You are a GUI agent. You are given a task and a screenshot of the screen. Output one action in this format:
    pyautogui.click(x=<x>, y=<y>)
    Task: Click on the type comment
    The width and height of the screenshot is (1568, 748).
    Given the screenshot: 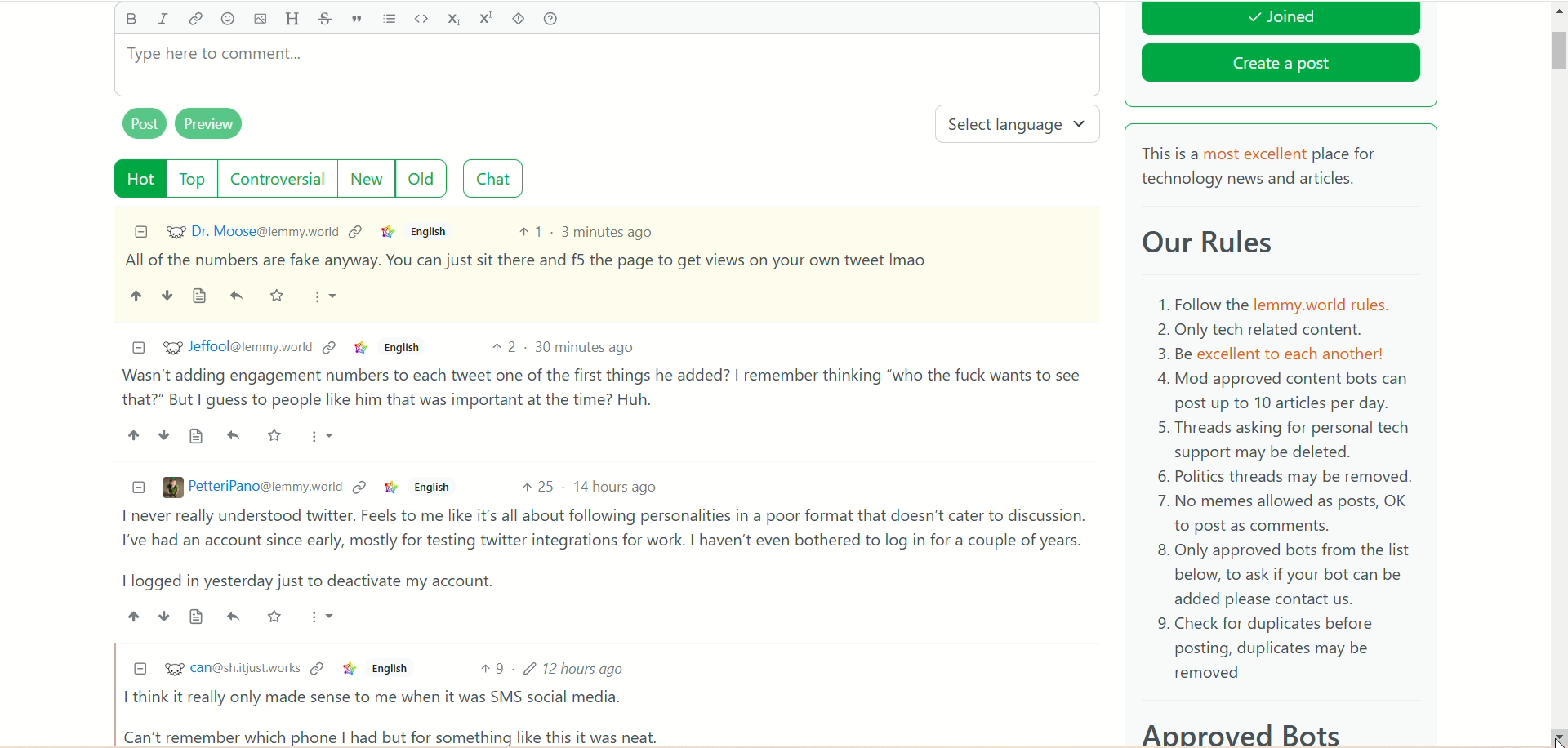 What is the action you would take?
    pyautogui.click(x=607, y=65)
    